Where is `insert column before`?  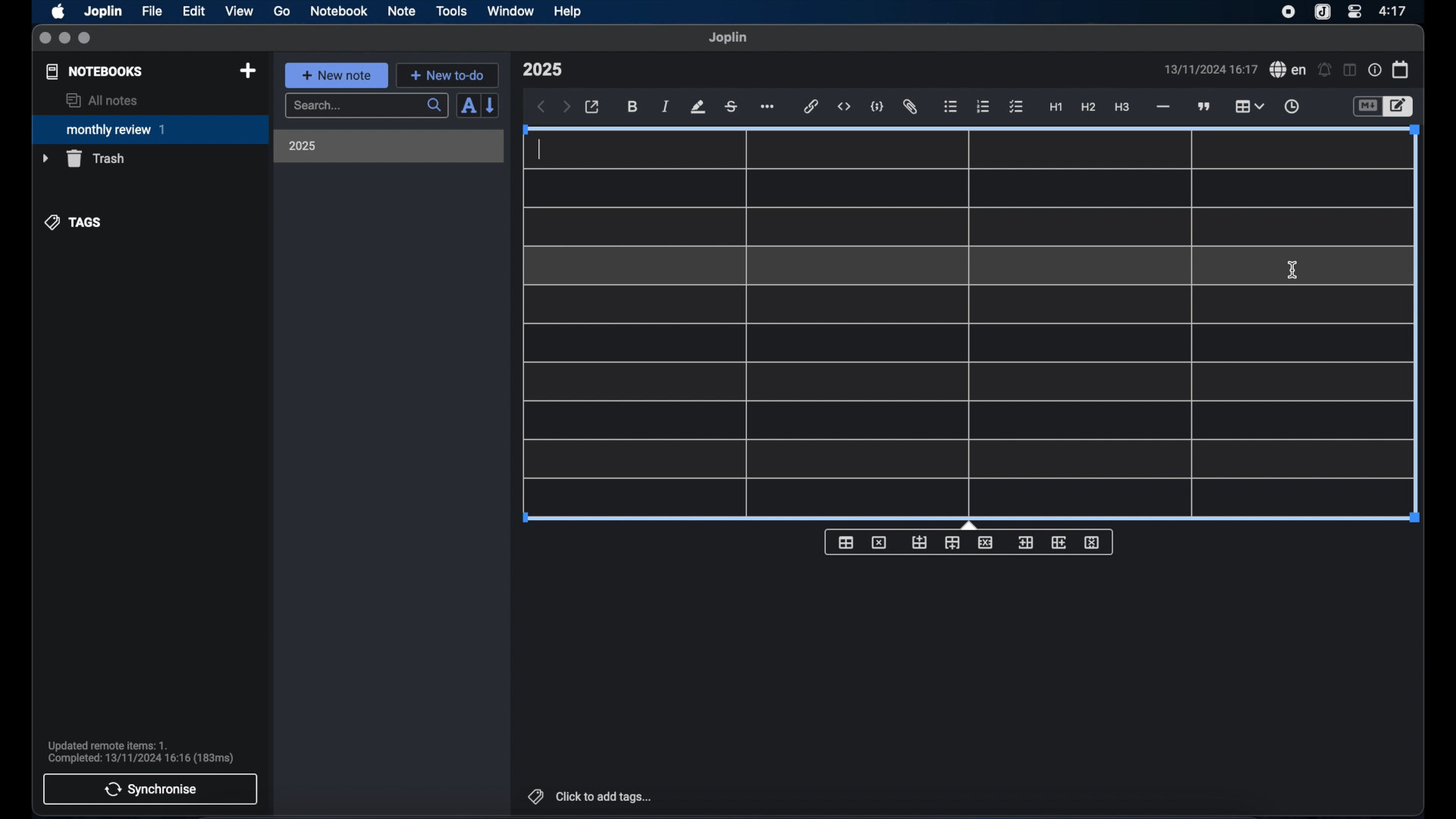
insert column before is located at coordinates (1025, 543).